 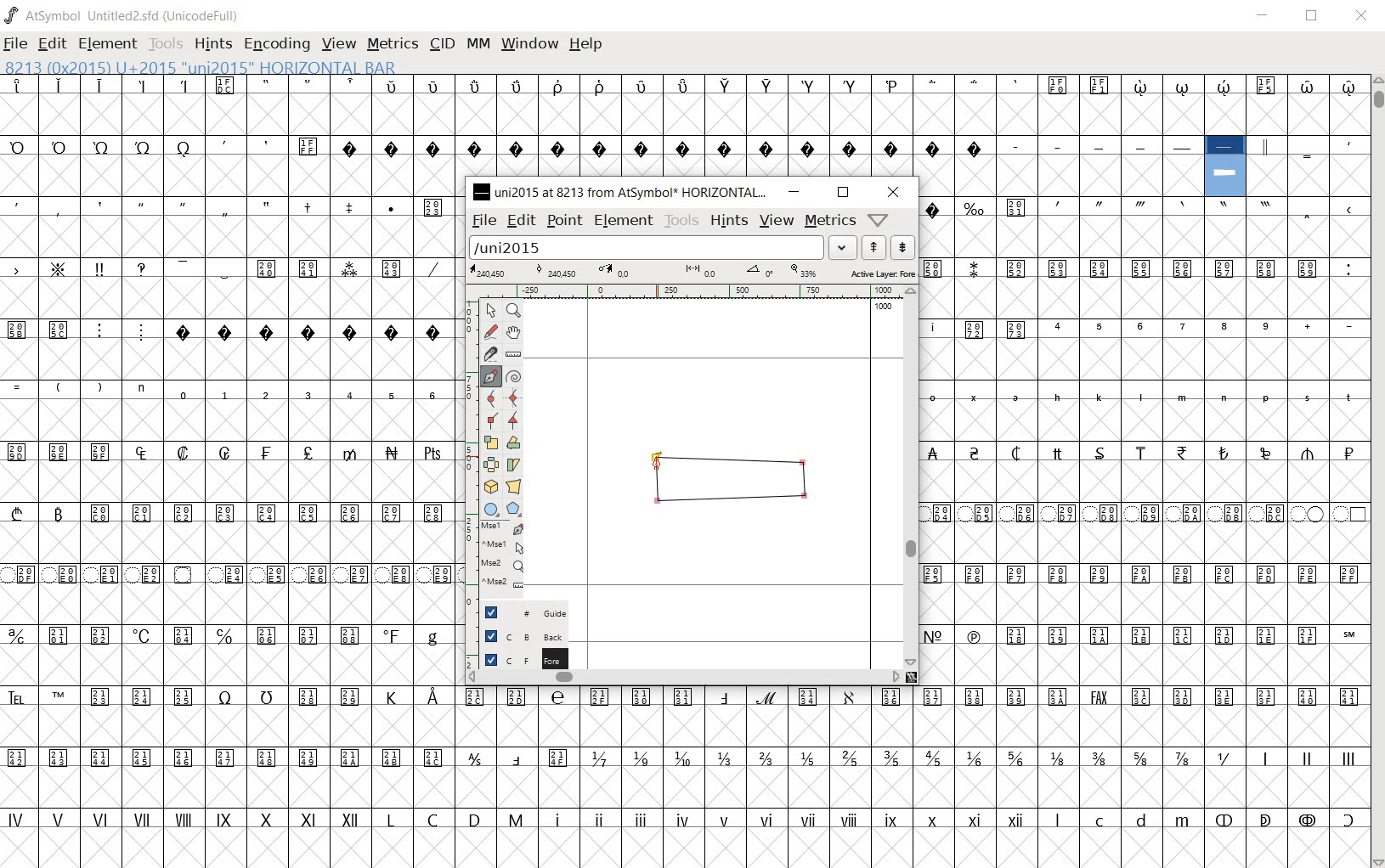 I want to click on file, so click(x=483, y=222).